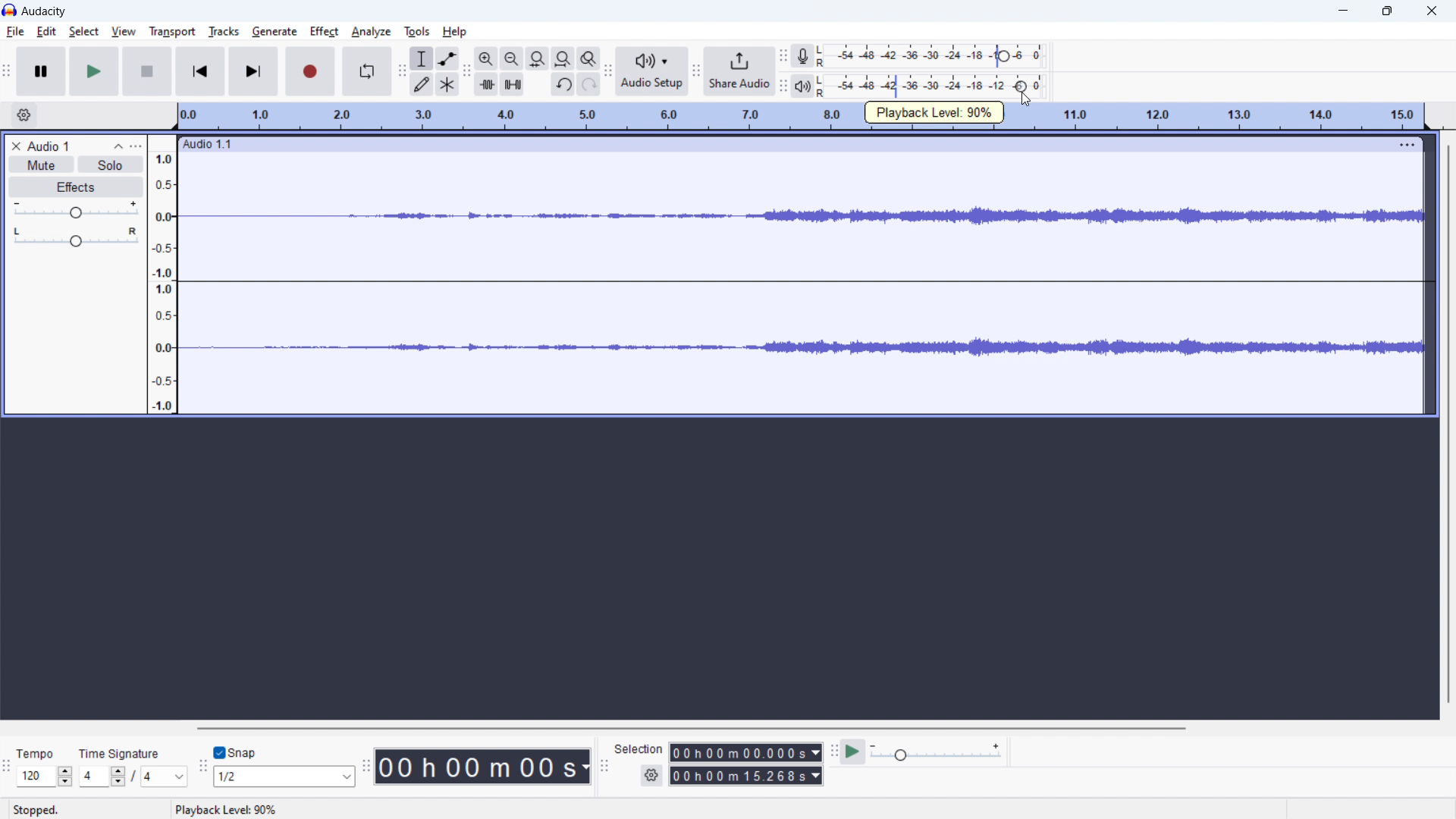  What do you see at coordinates (486, 58) in the screenshot?
I see `zoom in` at bounding box center [486, 58].